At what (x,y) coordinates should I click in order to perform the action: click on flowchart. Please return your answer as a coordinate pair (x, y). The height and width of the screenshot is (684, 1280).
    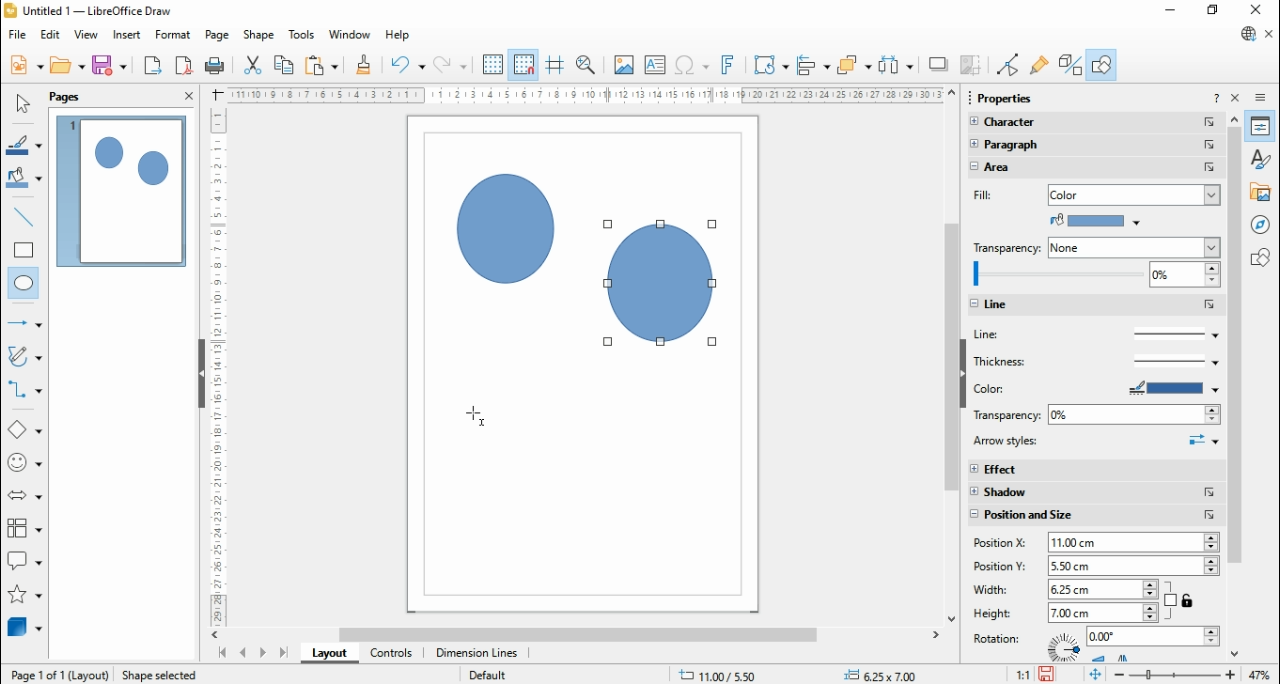
    Looking at the image, I should click on (25, 532).